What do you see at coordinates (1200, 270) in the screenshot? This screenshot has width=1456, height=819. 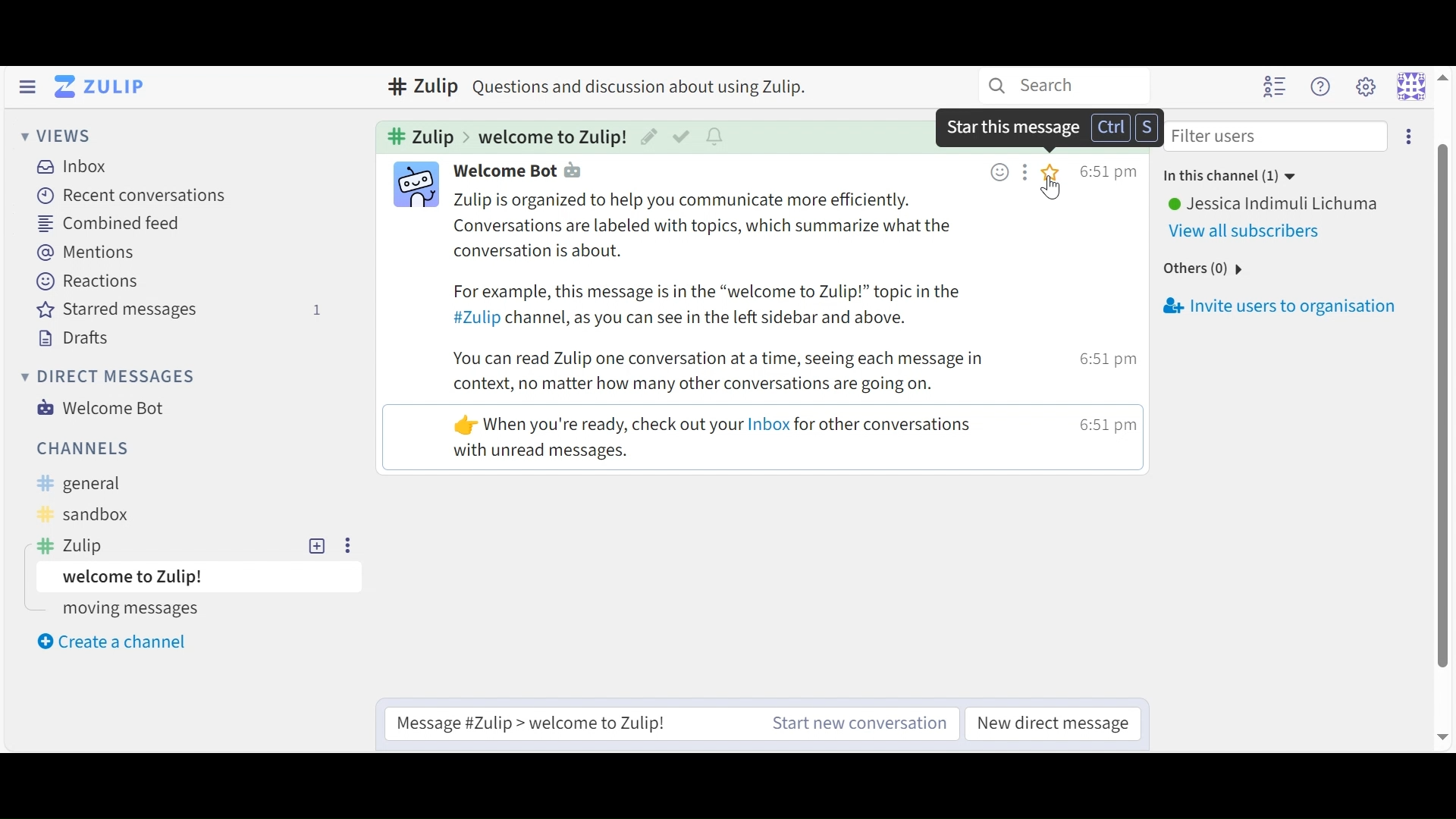 I see `others` at bounding box center [1200, 270].